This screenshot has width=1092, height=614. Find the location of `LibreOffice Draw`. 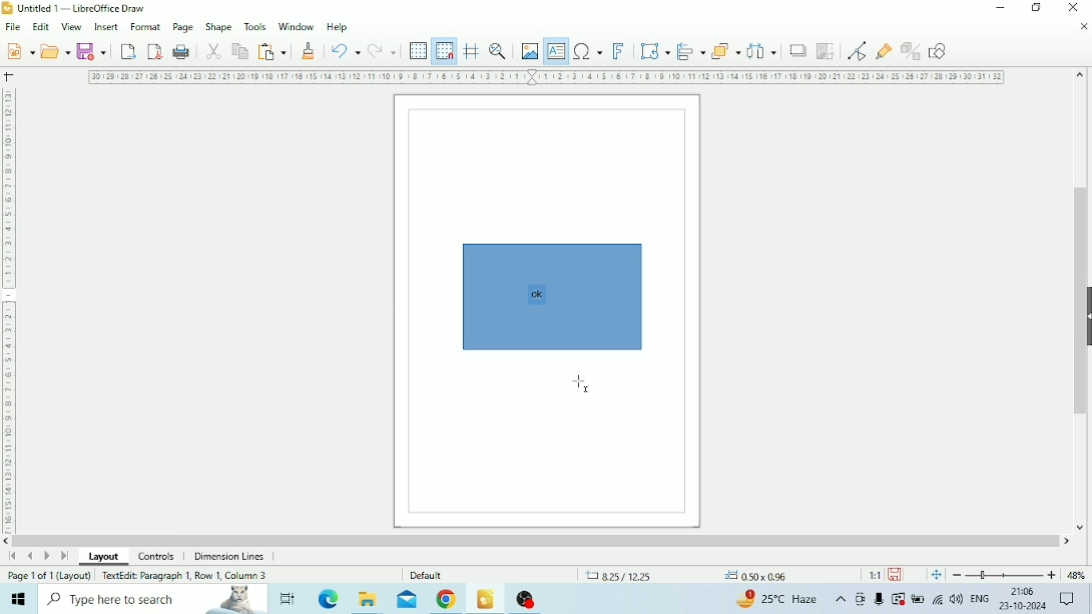

LibreOffice Draw is located at coordinates (485, 598).